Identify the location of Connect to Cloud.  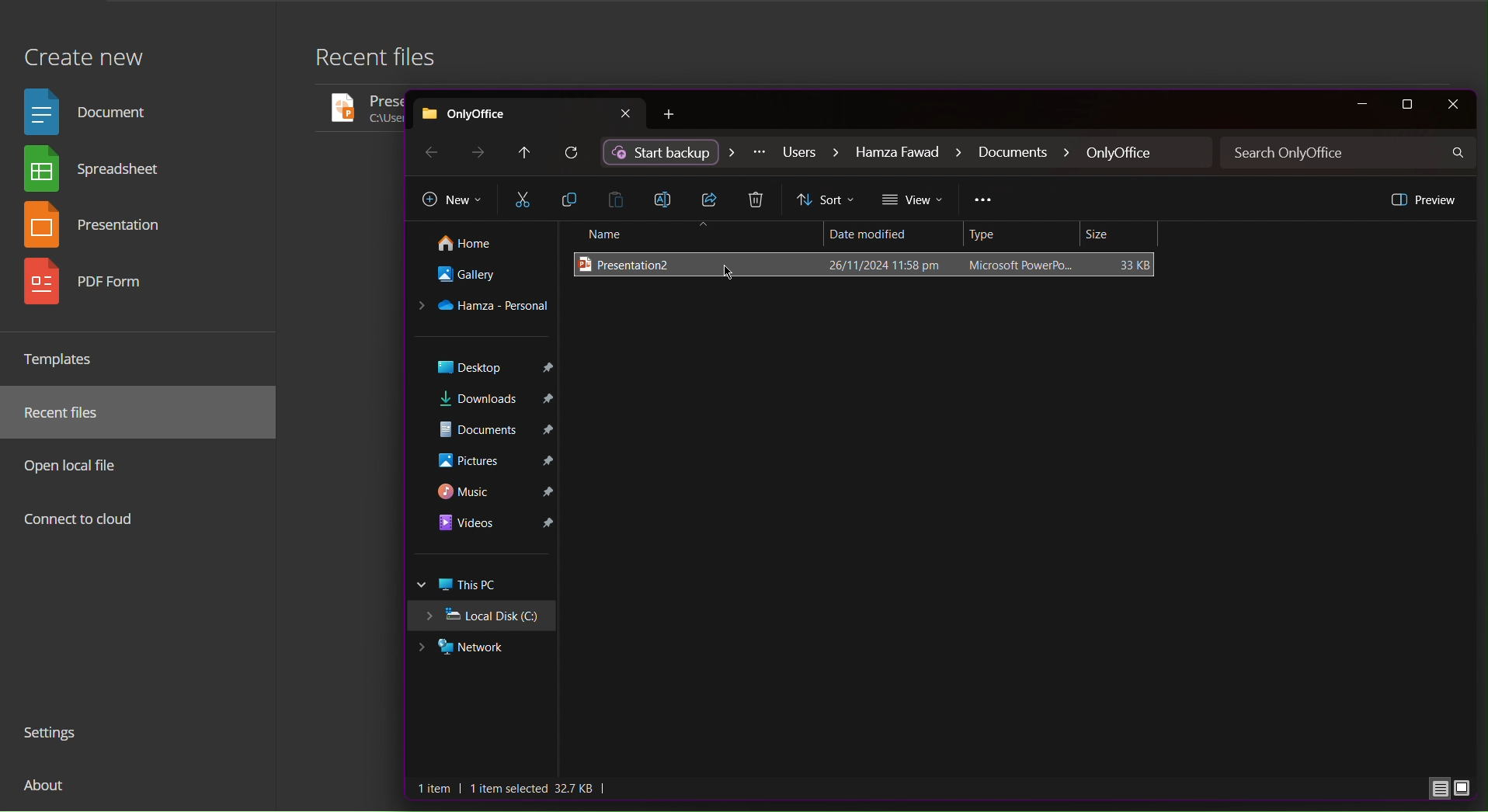
(80, 521).